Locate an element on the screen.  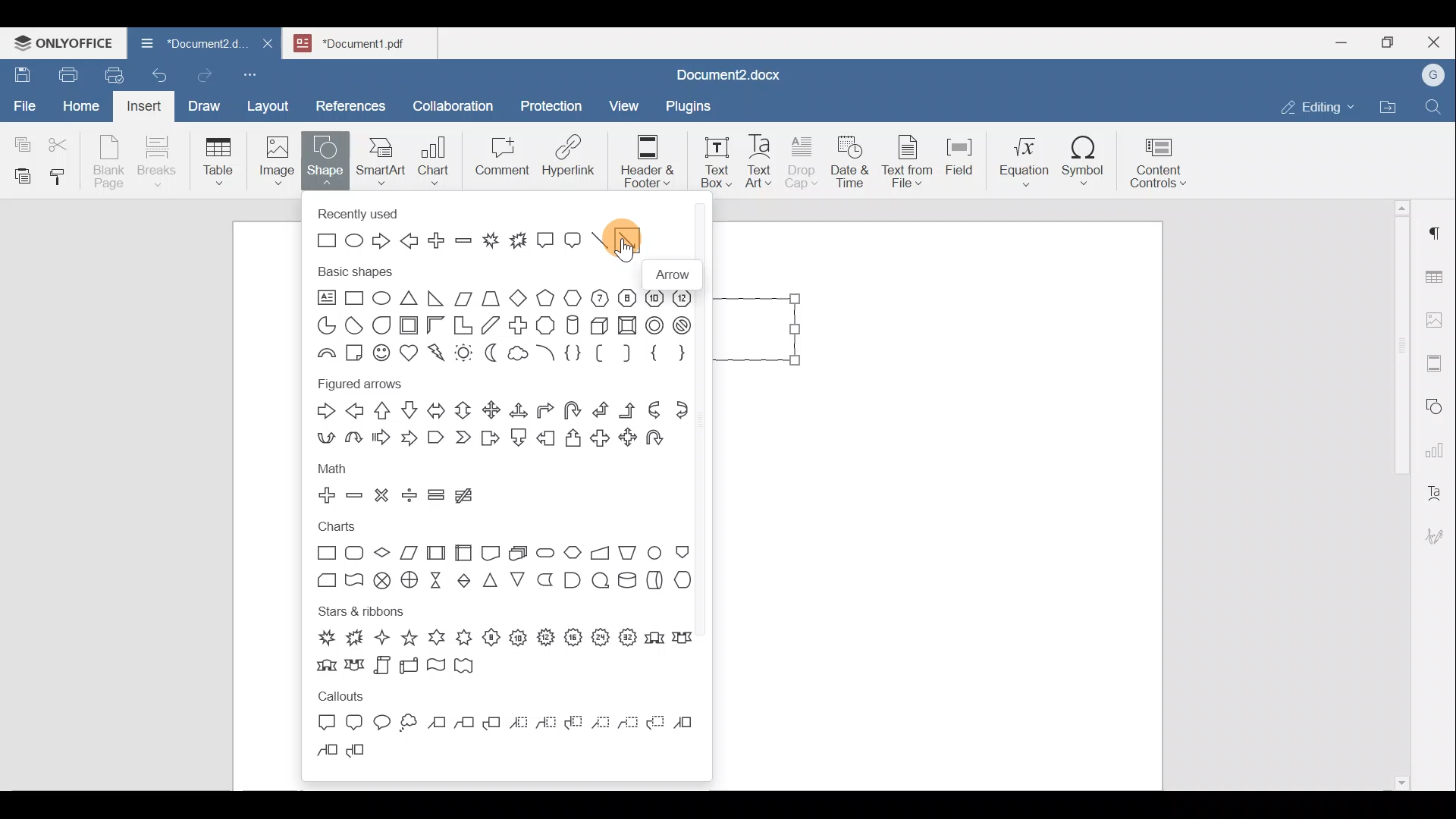
Collaboration is located at coordinates (450, 98).